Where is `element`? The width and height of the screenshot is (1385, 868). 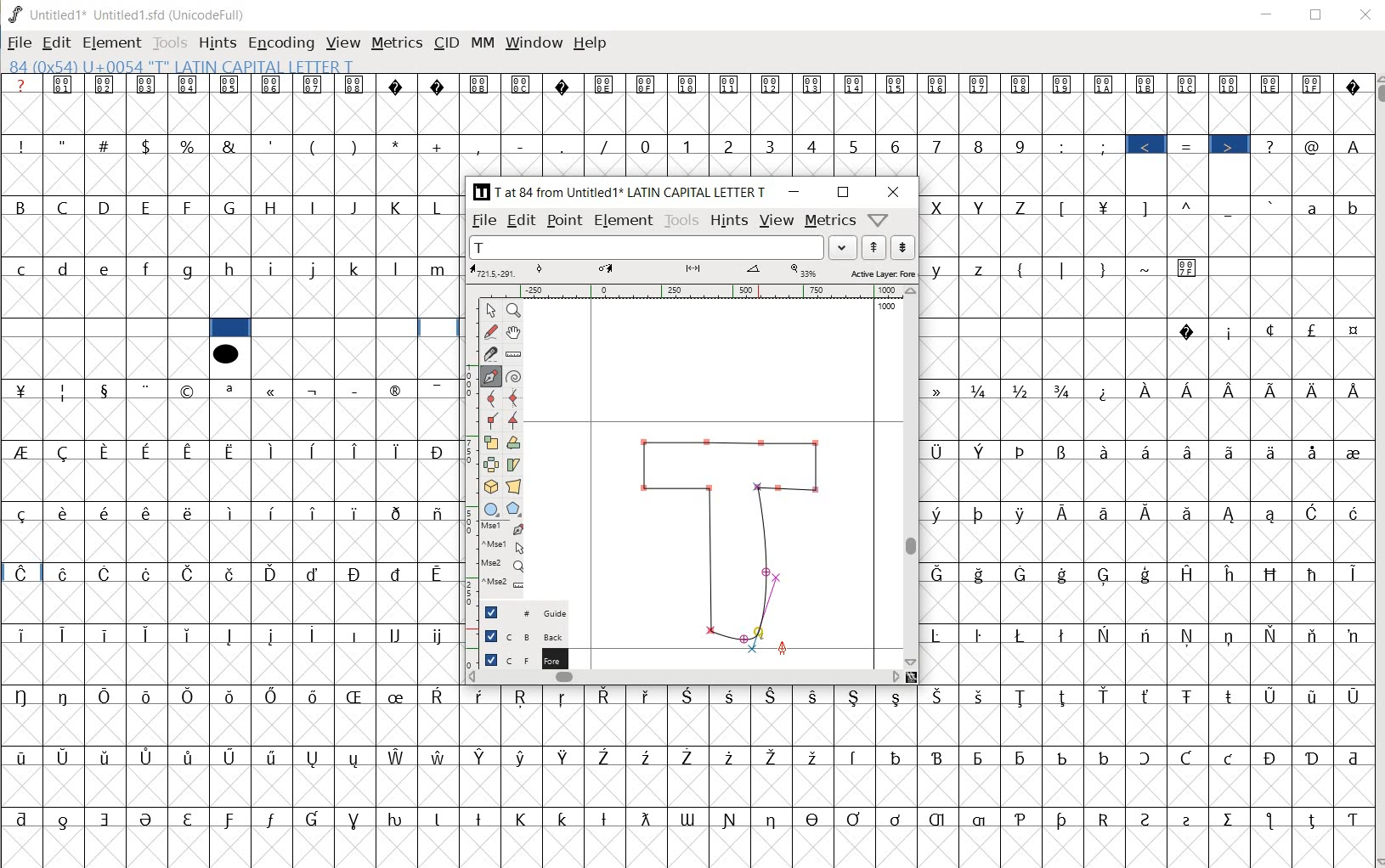
element is located at coordinates (111, 42).